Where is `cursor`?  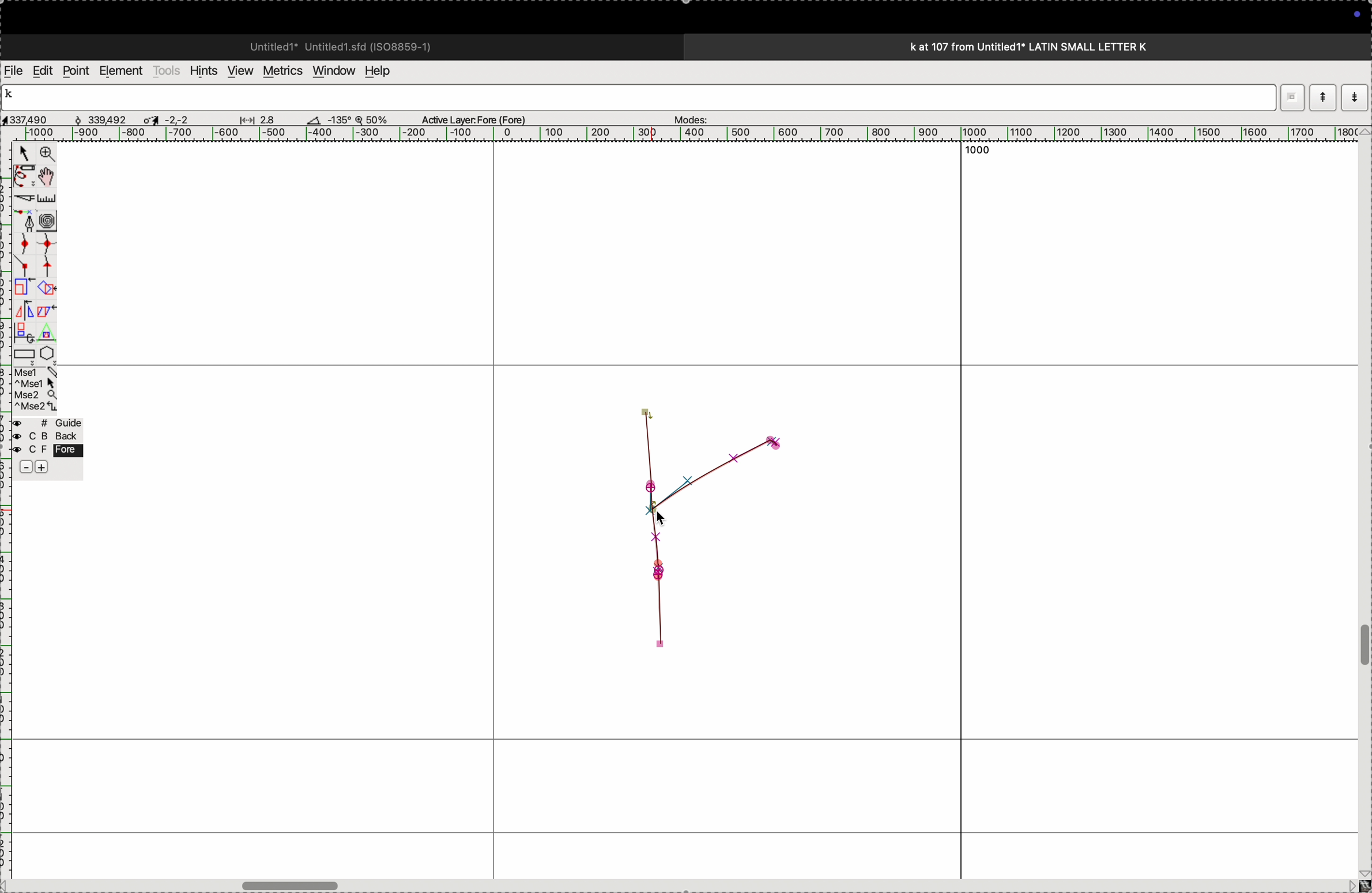 cursor is located at coordinates (663, 522).